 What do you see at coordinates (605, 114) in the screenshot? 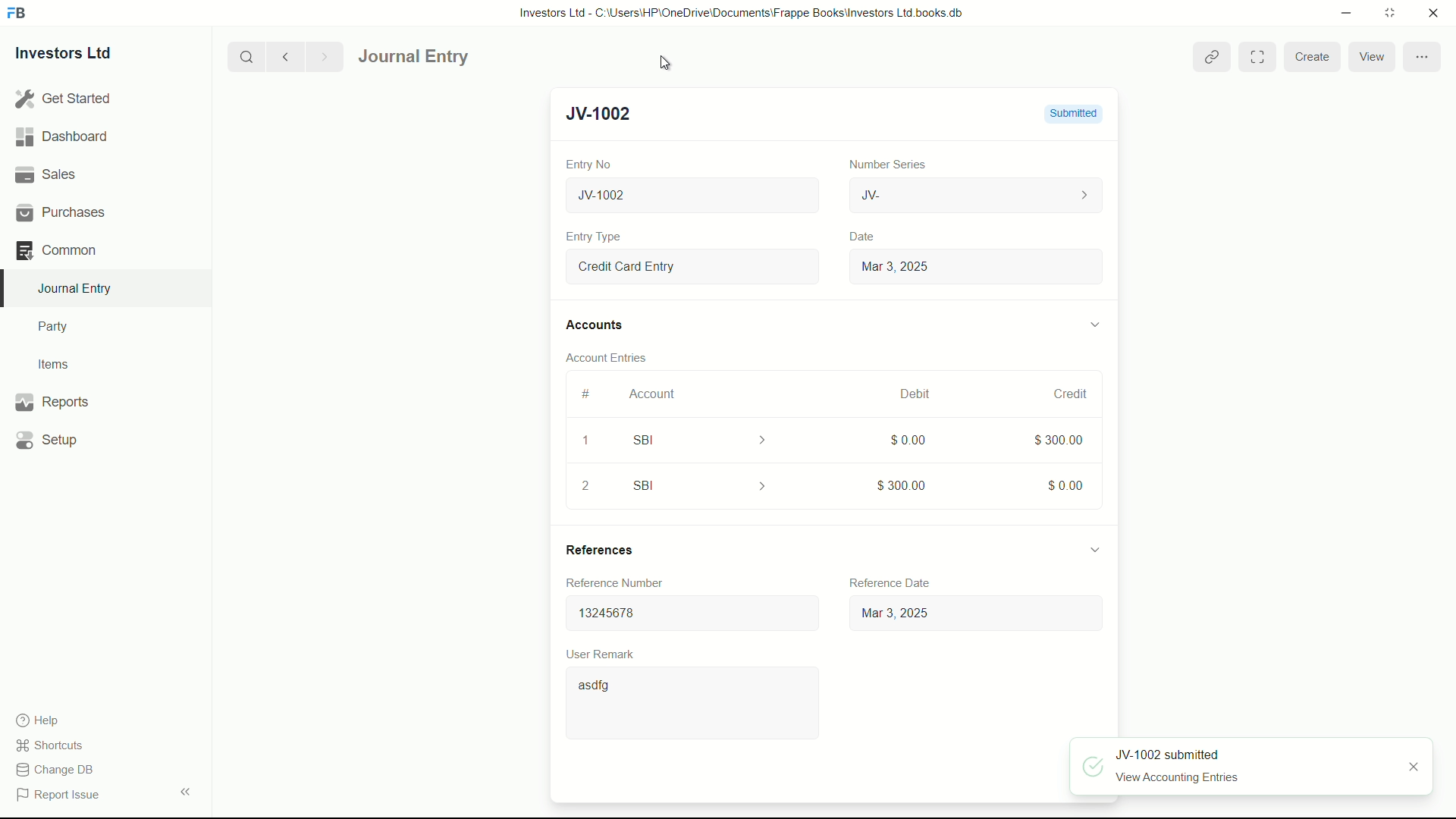
I see `New Entry` at bounding box center [605, 114].